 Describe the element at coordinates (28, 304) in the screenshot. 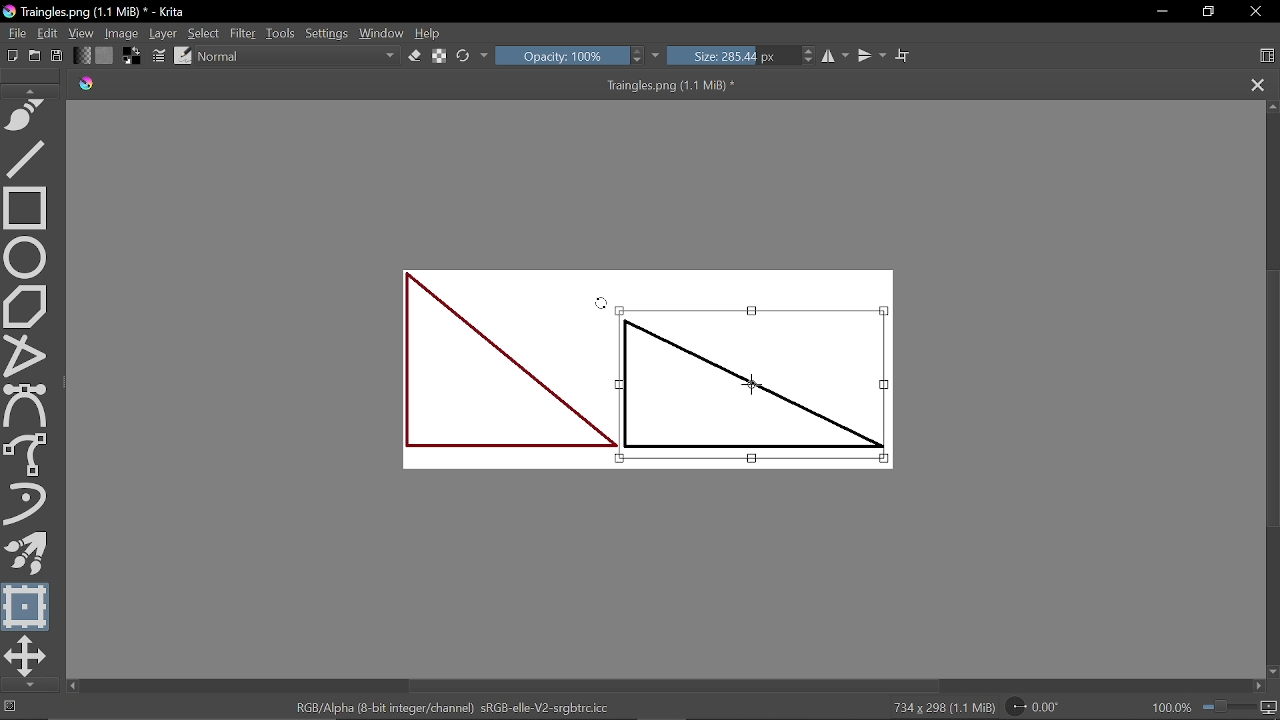

I see `Polygon tool` at that location.